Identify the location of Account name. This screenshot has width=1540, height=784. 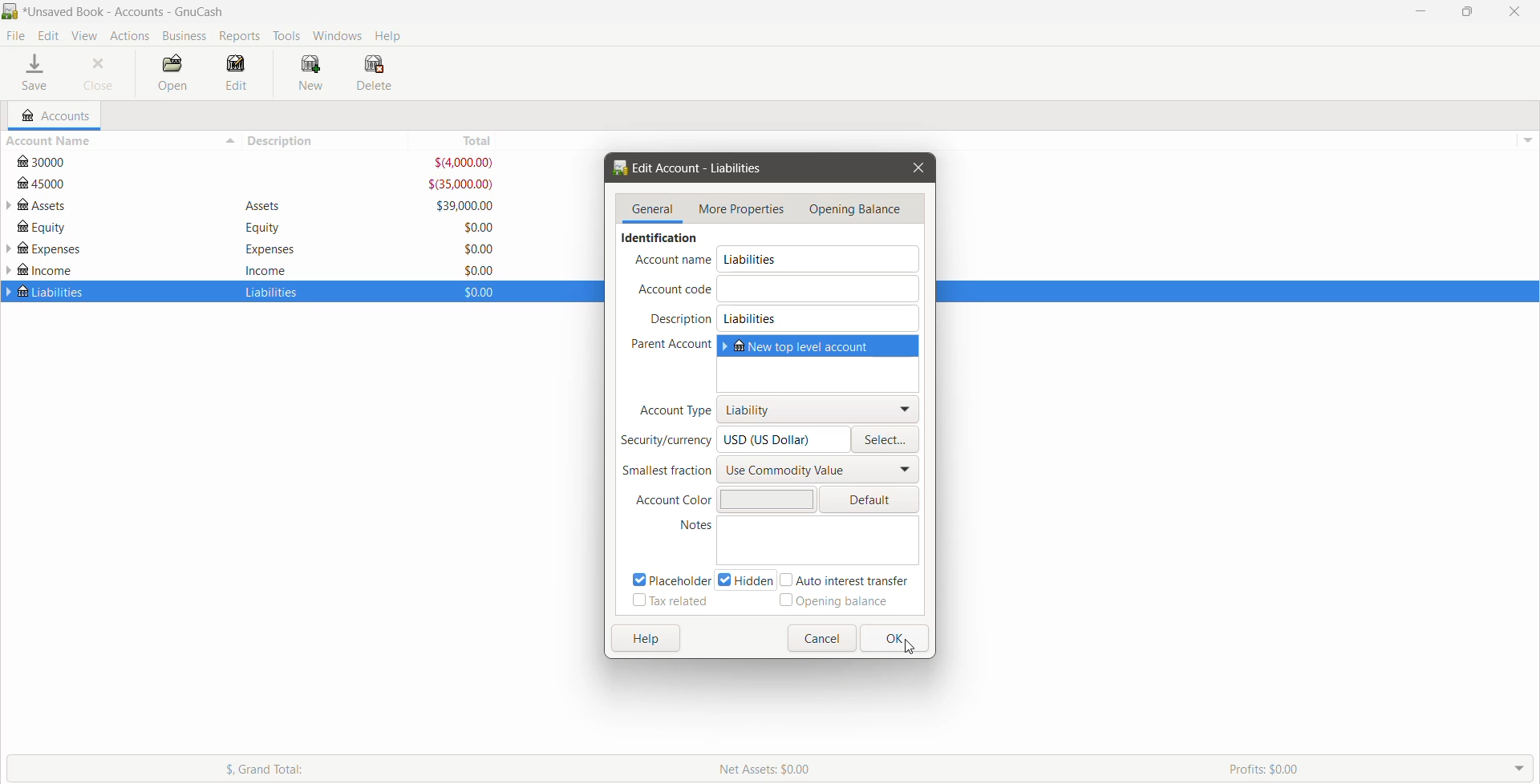
(673, 261).